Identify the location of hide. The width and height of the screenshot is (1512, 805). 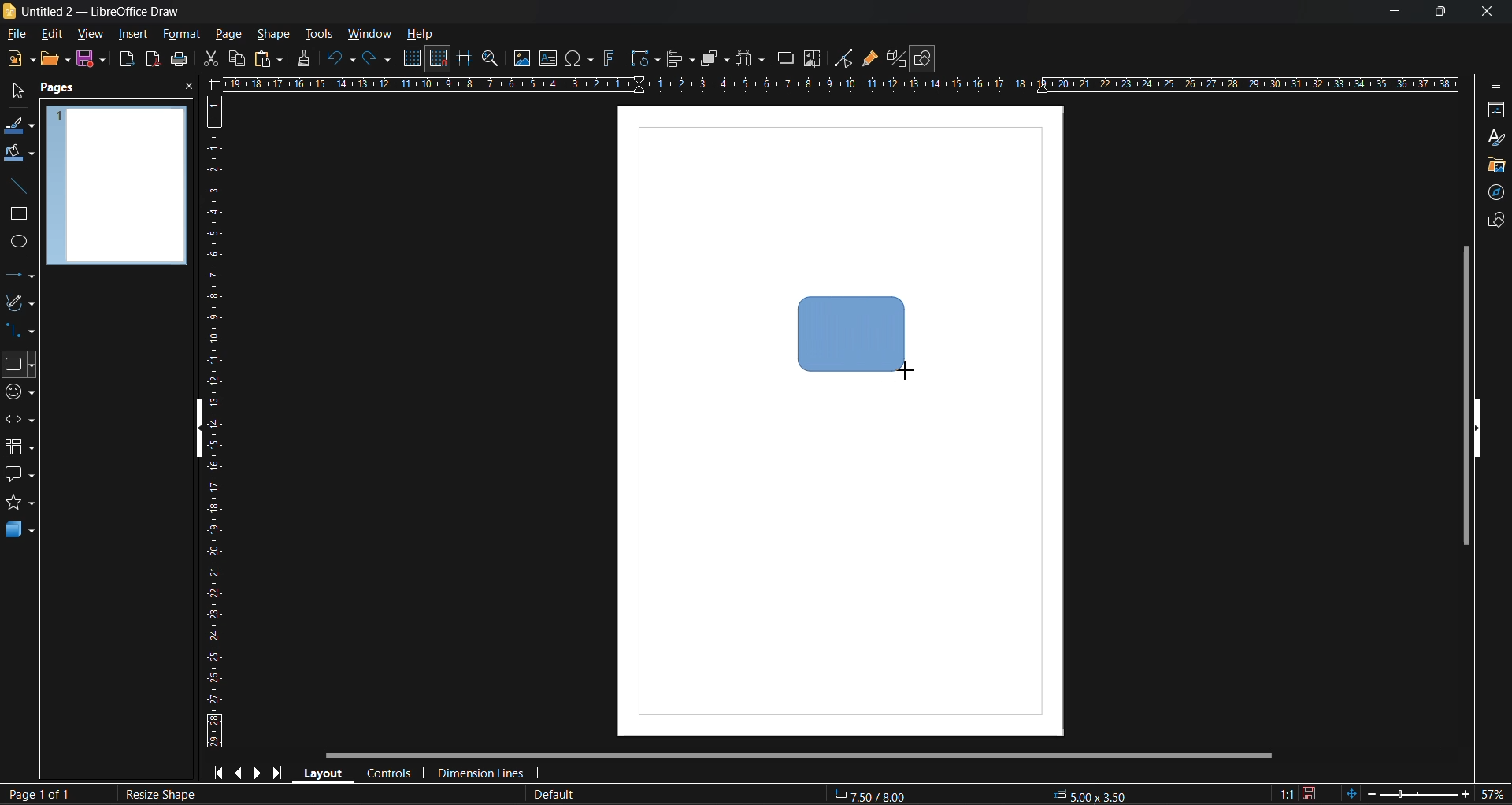
(202, 432).